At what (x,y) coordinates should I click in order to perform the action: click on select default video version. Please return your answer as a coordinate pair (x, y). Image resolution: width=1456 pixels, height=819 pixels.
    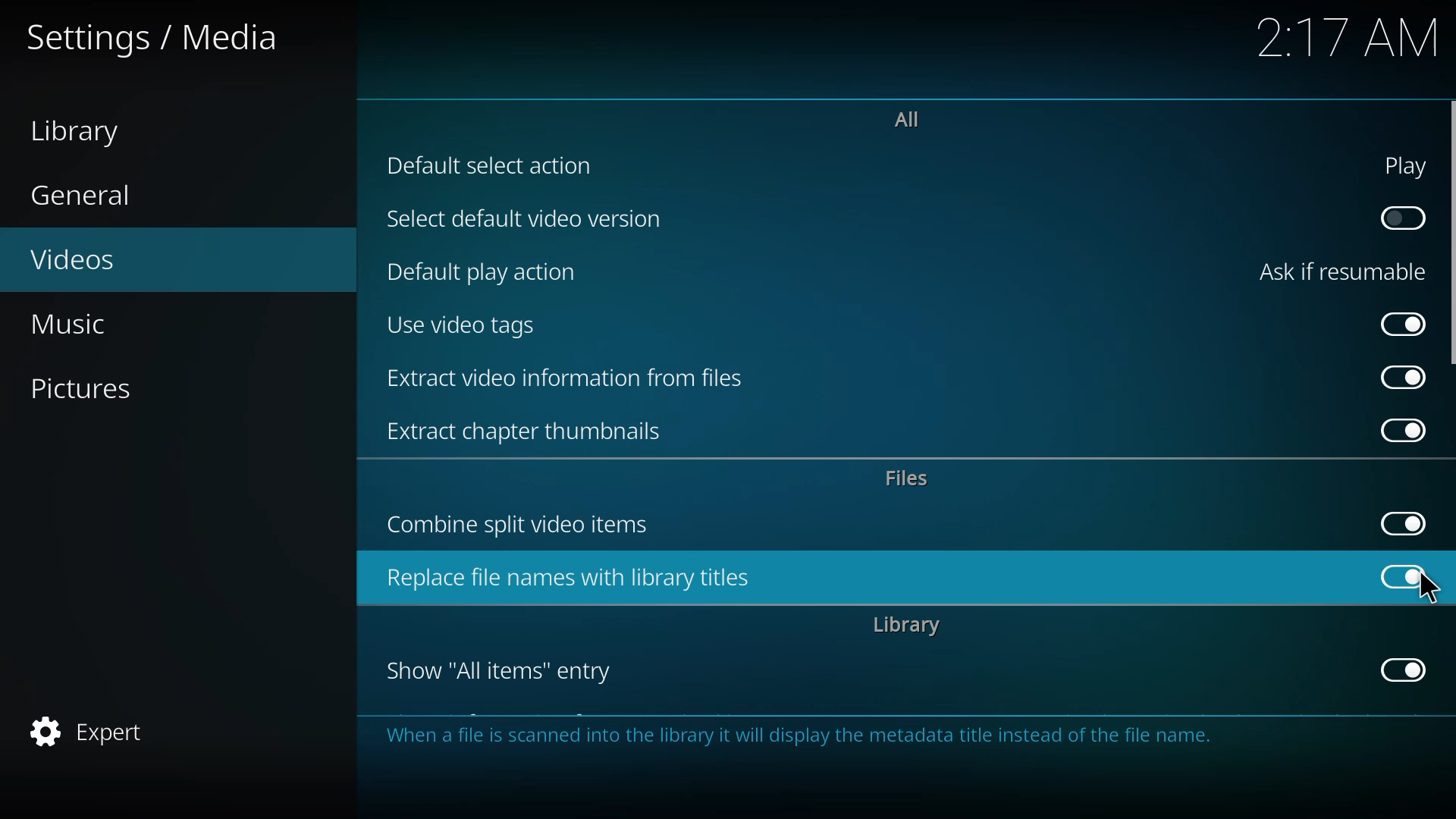
    Looking at the image, I should click on (521, 222).